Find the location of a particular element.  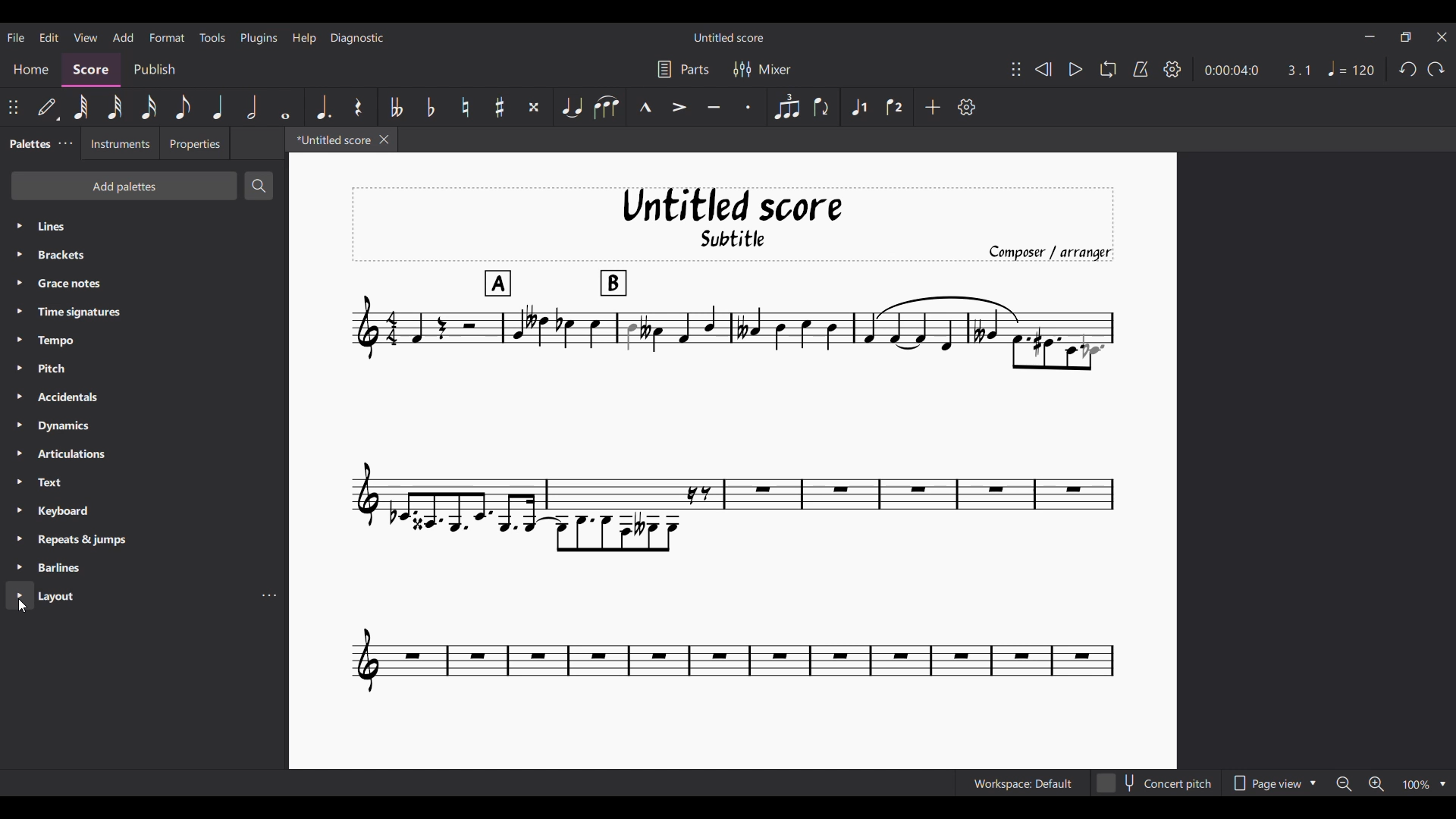

Tools menu is located at coordinates (212, 37).